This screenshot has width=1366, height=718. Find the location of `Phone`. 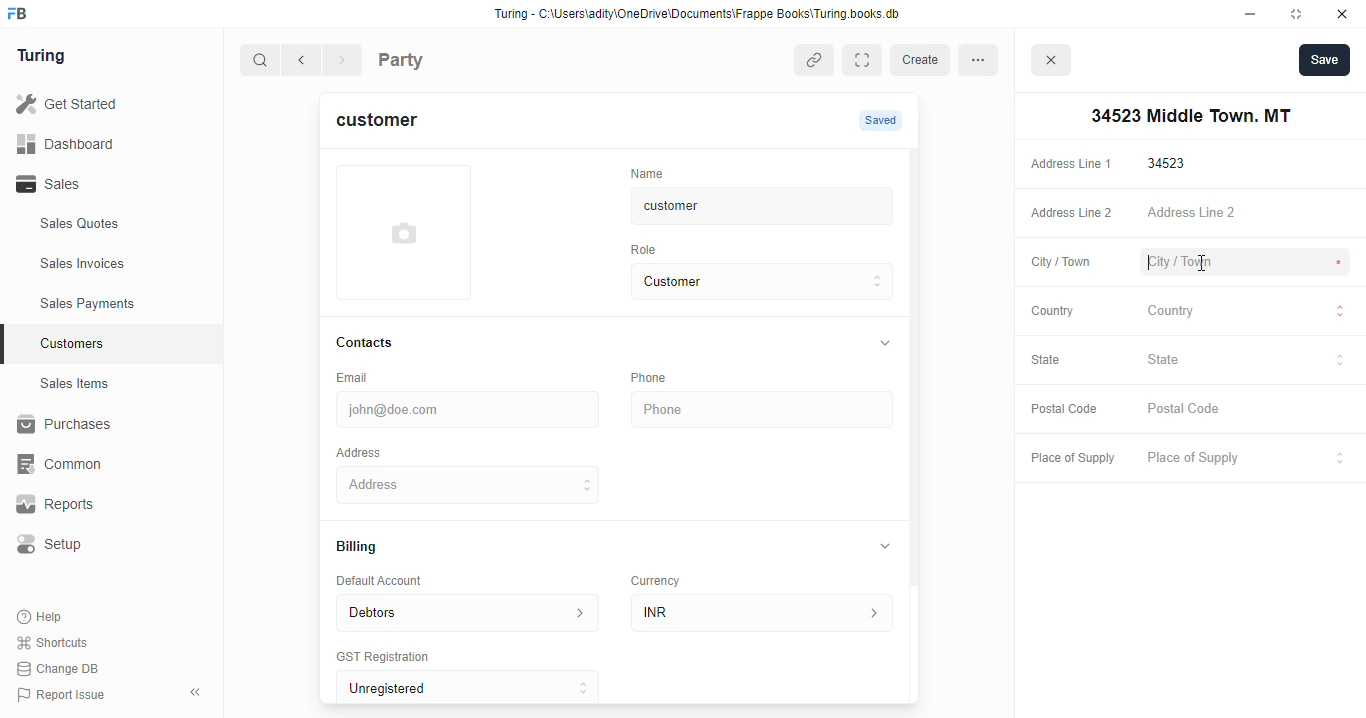

Phone is located at coordinates (765, 410).